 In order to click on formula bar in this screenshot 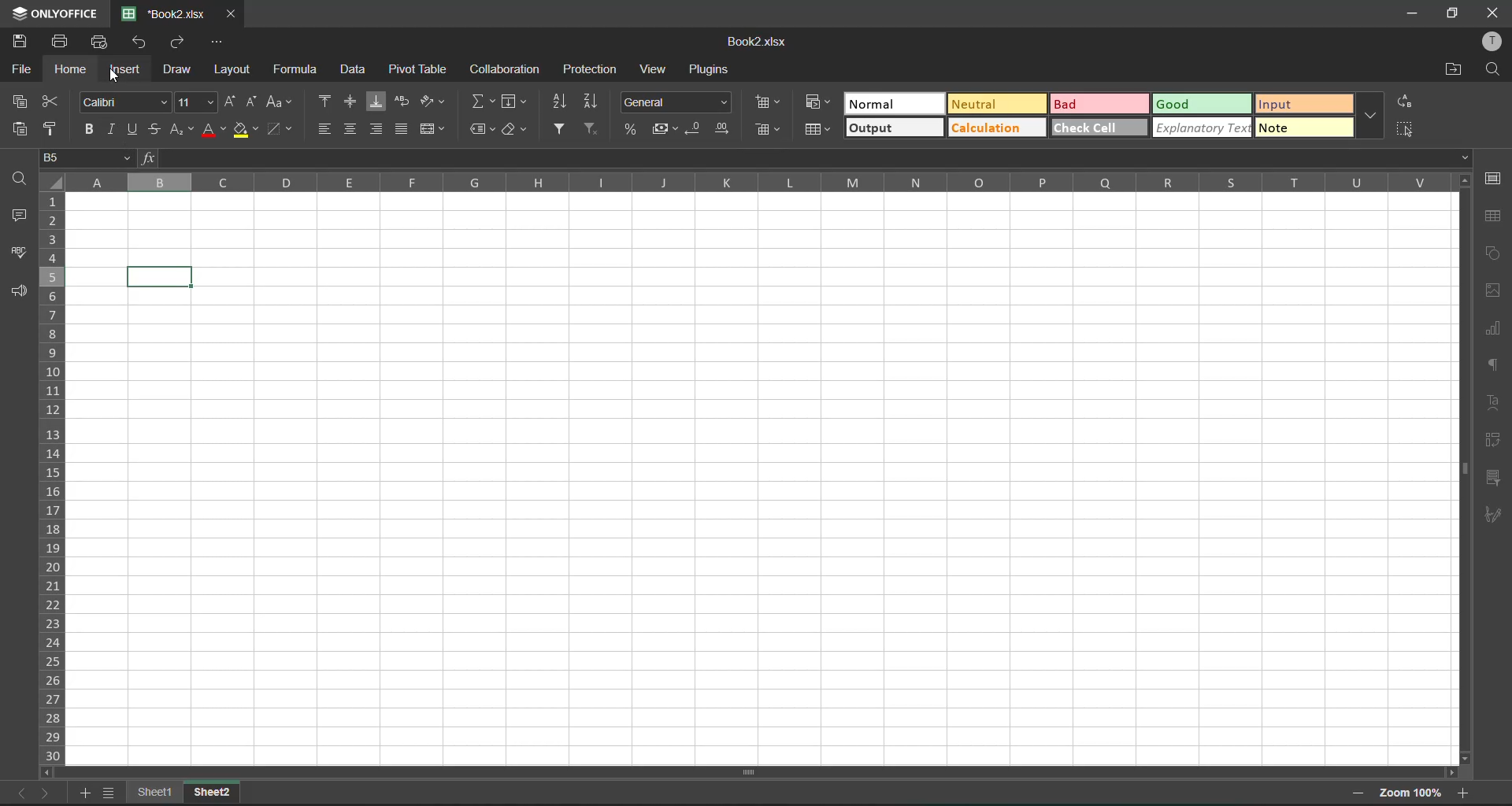, I will do `click(813, 157)`.